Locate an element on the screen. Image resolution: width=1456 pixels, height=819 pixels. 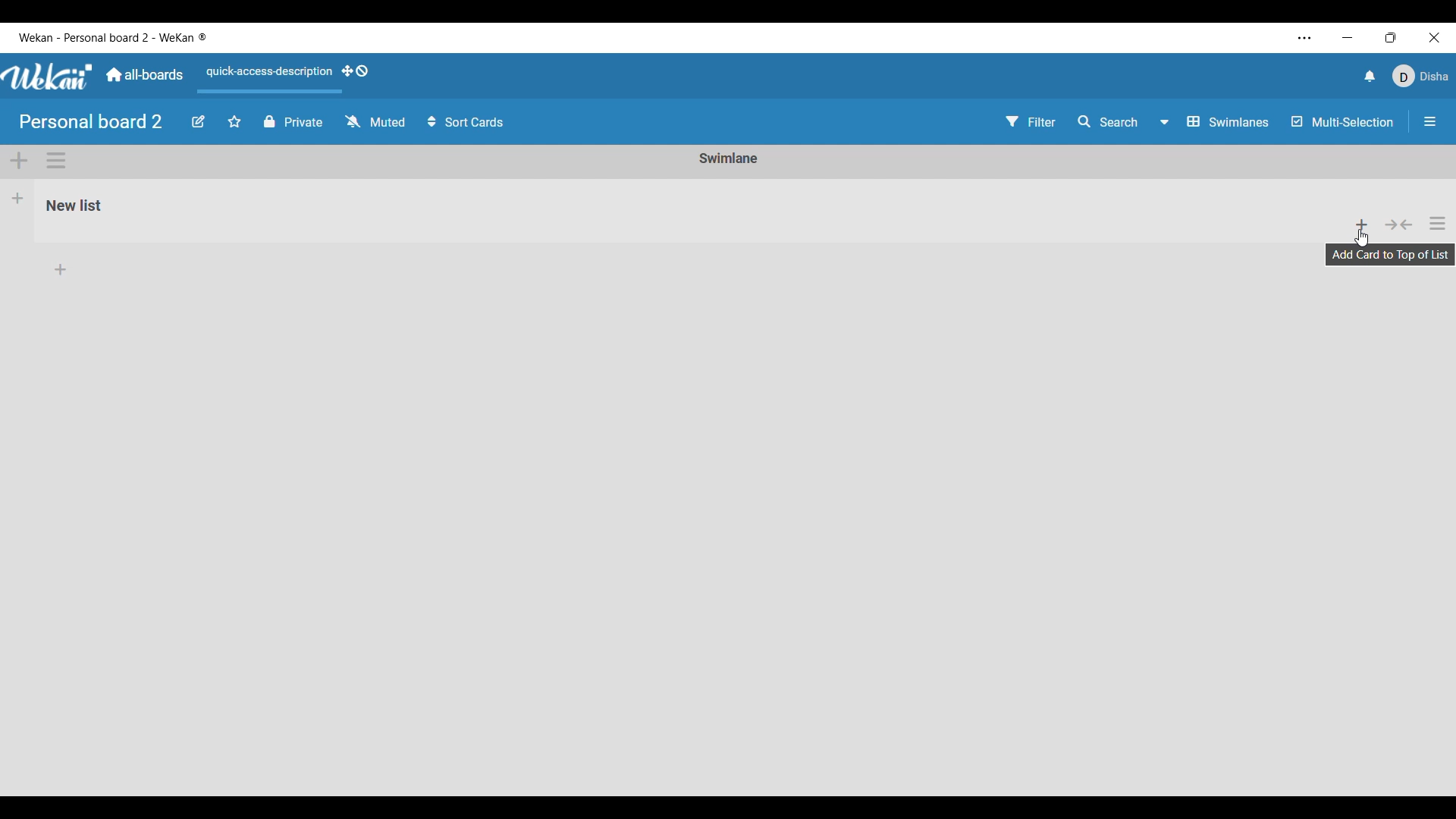
Toggle for Multi-selection is located at coordinates (1343, 121).